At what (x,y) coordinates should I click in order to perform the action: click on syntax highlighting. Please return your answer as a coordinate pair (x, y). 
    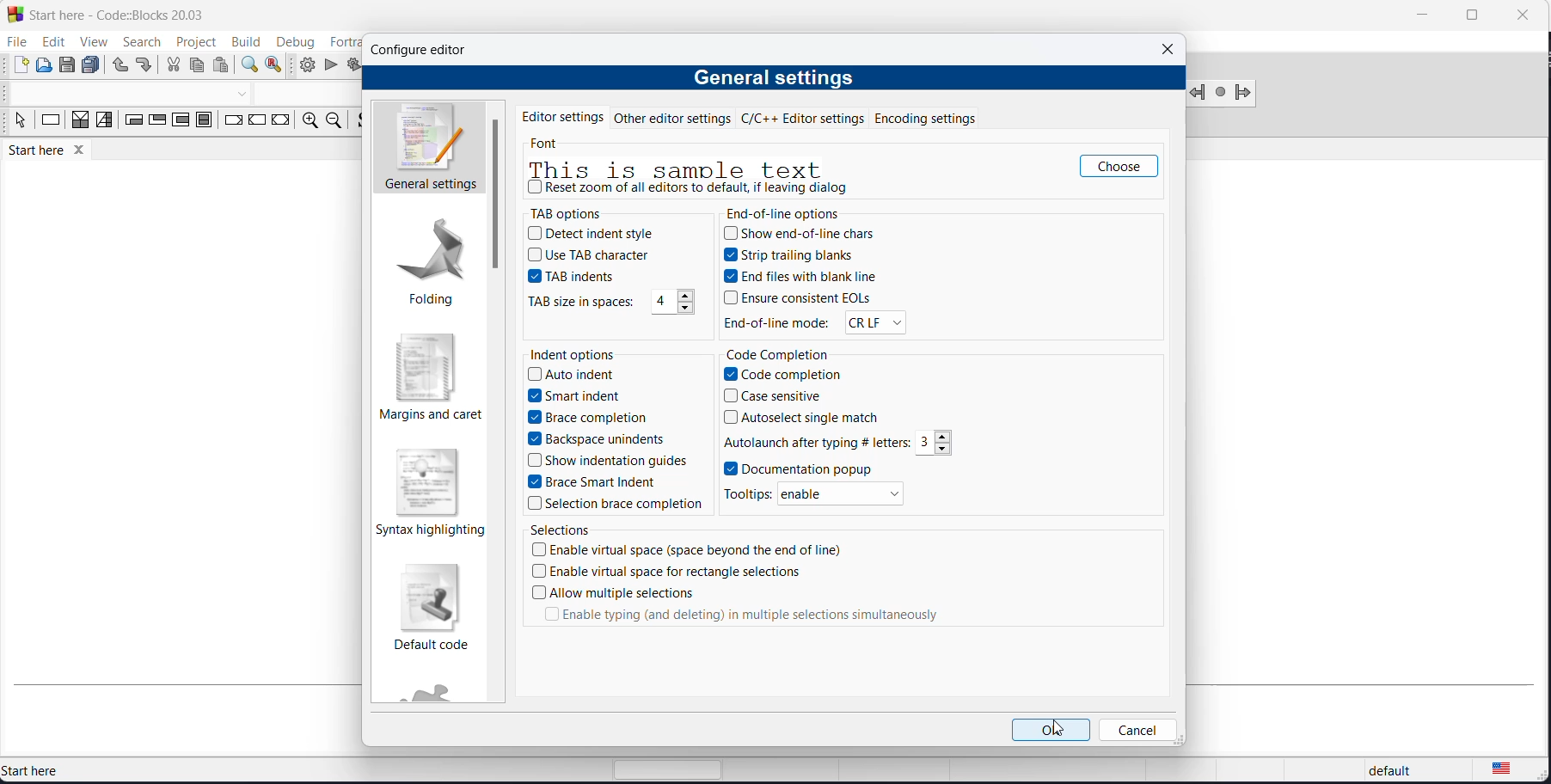
    Looking at the image, I should click on (426, 492).